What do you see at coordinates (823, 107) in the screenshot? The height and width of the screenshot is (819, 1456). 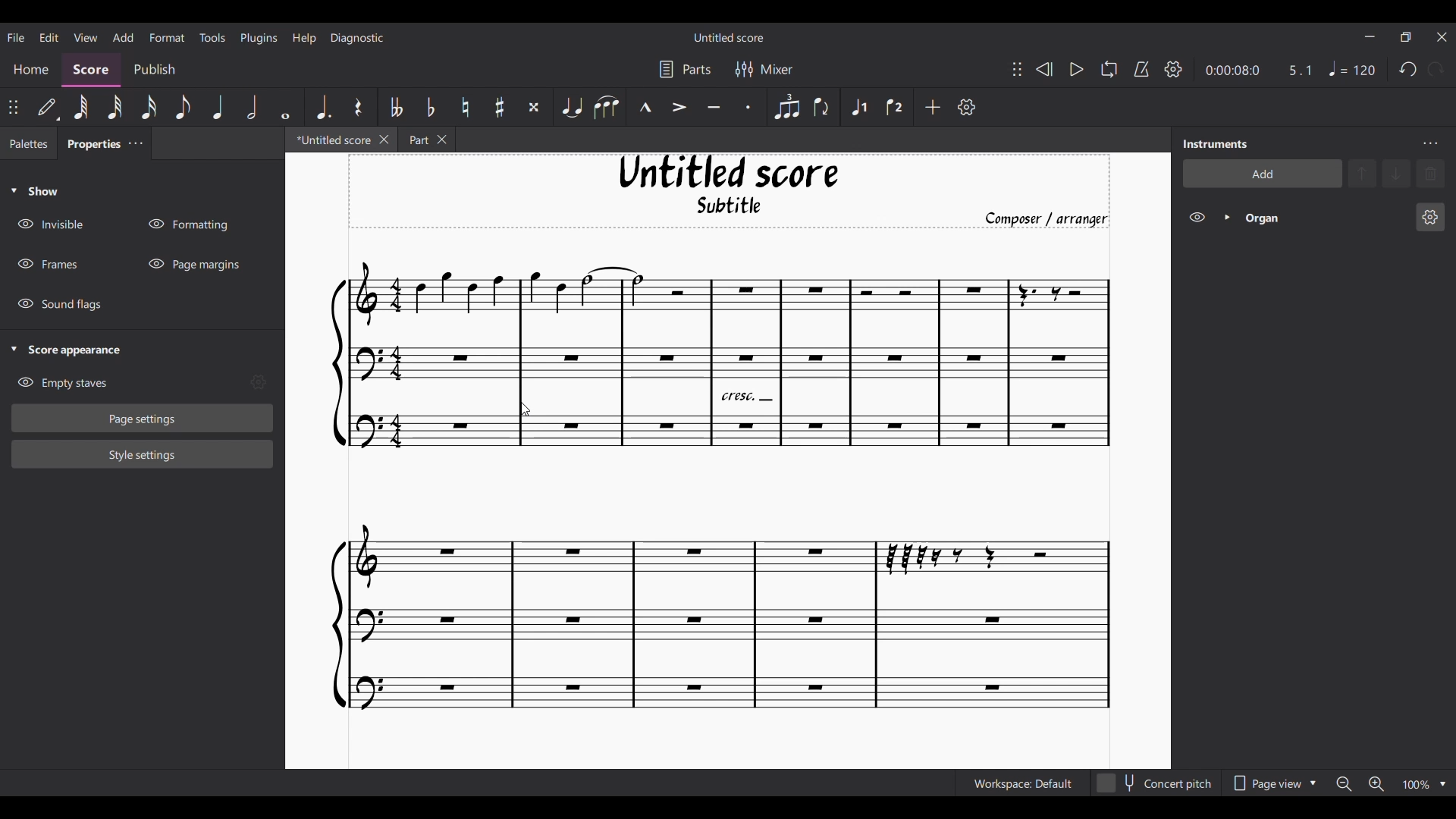 I see `Flip direction` at bounding box center [823, 107].